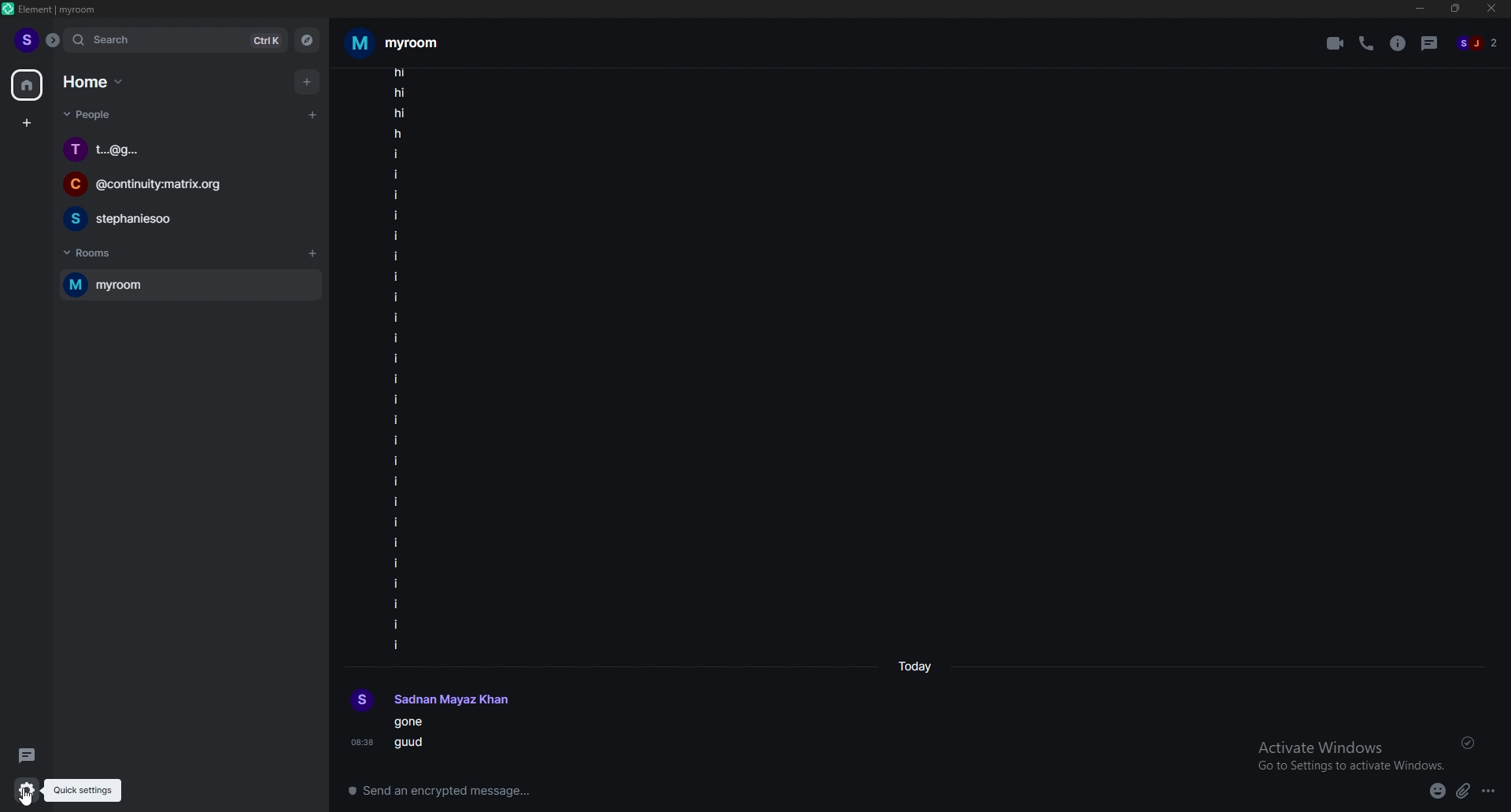 The width and height of the screenshot is (1511, 812). Describe the element at coordinates (1491, 791) in the screenshot. I see `options` at that location.